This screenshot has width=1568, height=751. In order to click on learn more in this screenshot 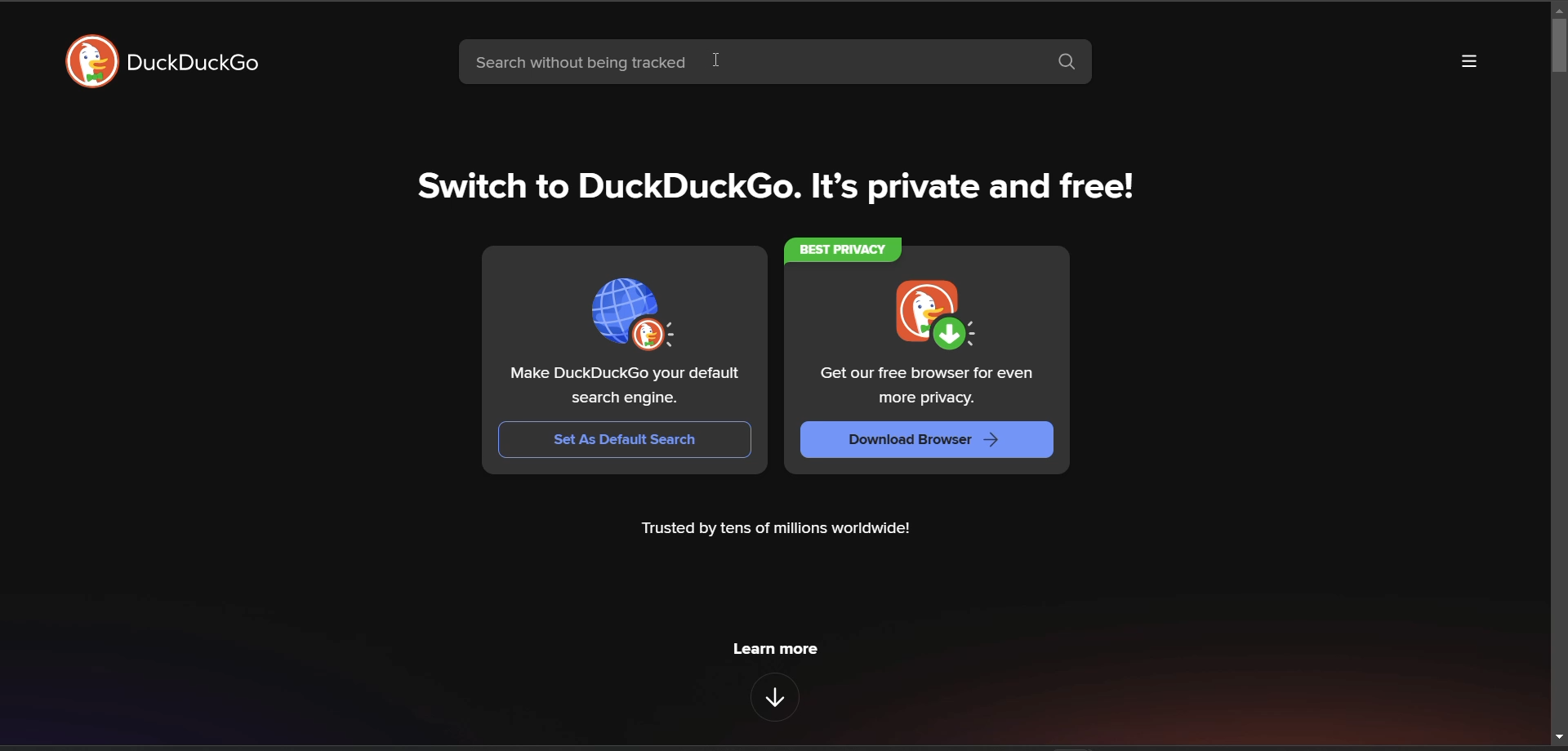, I will do `click(775, 649)`.